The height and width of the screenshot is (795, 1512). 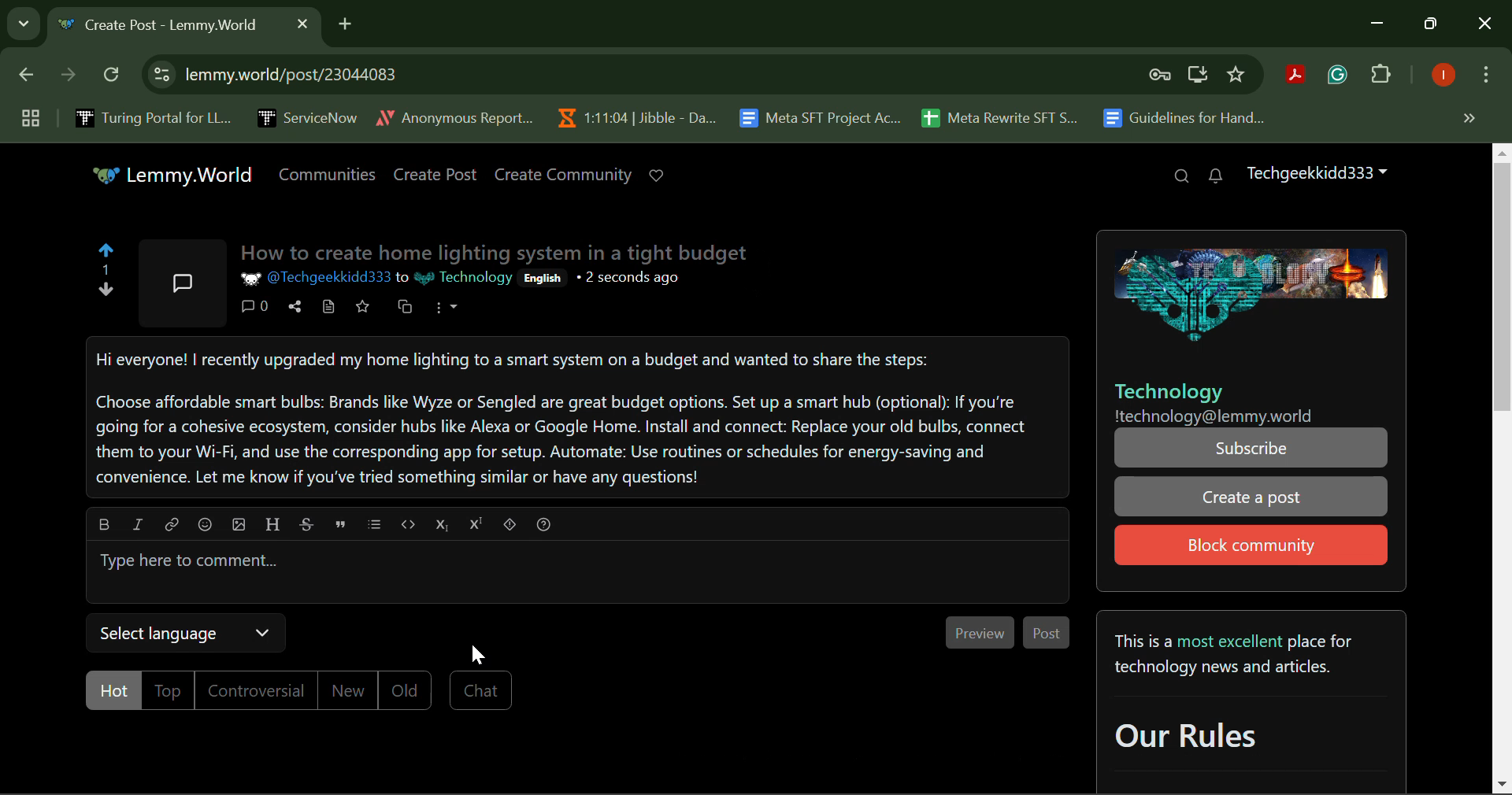 I want to click on Search, so click(x=1180, y=178).